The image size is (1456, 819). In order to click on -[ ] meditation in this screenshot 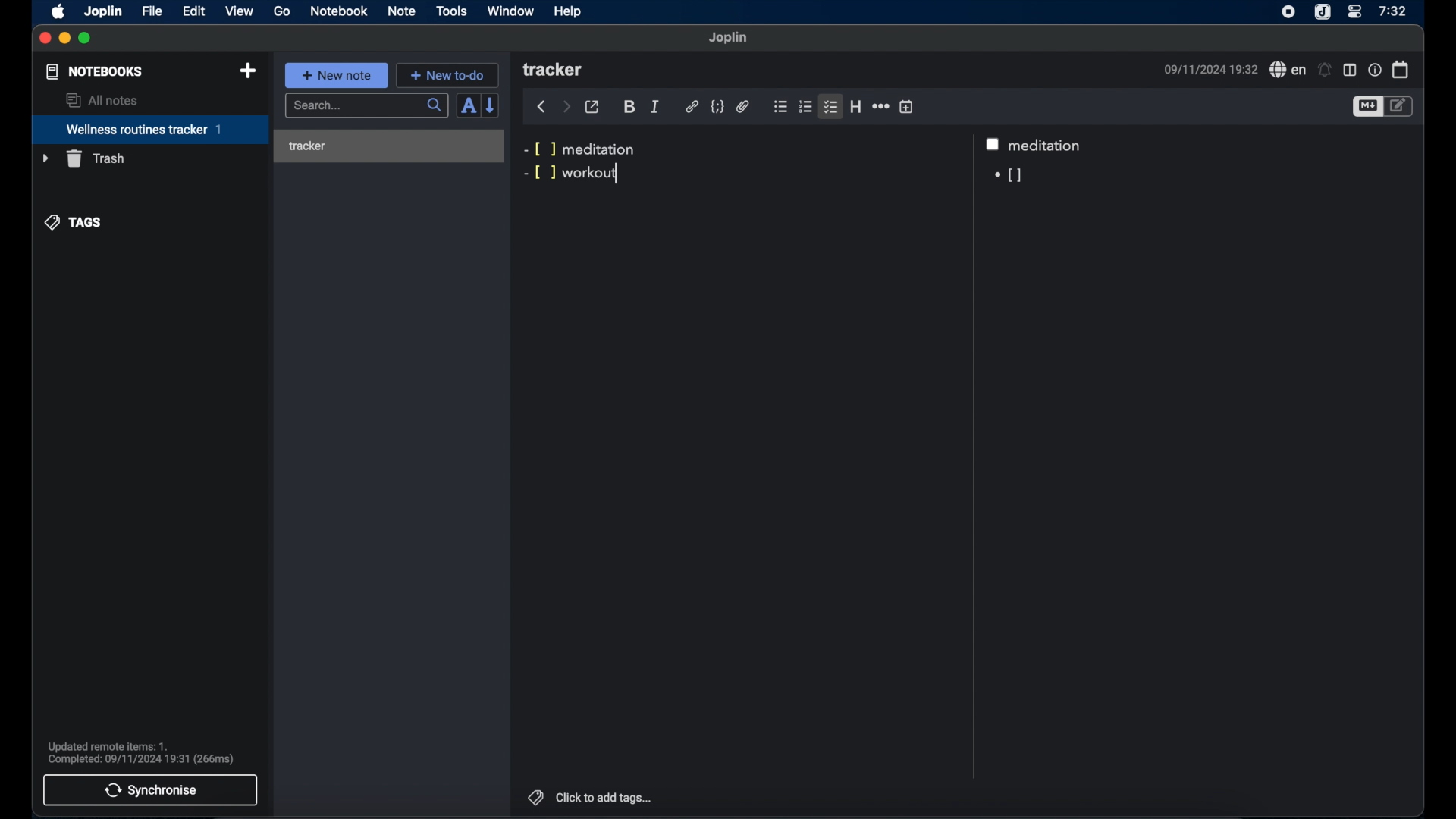, I will do `click(584, 148)`.